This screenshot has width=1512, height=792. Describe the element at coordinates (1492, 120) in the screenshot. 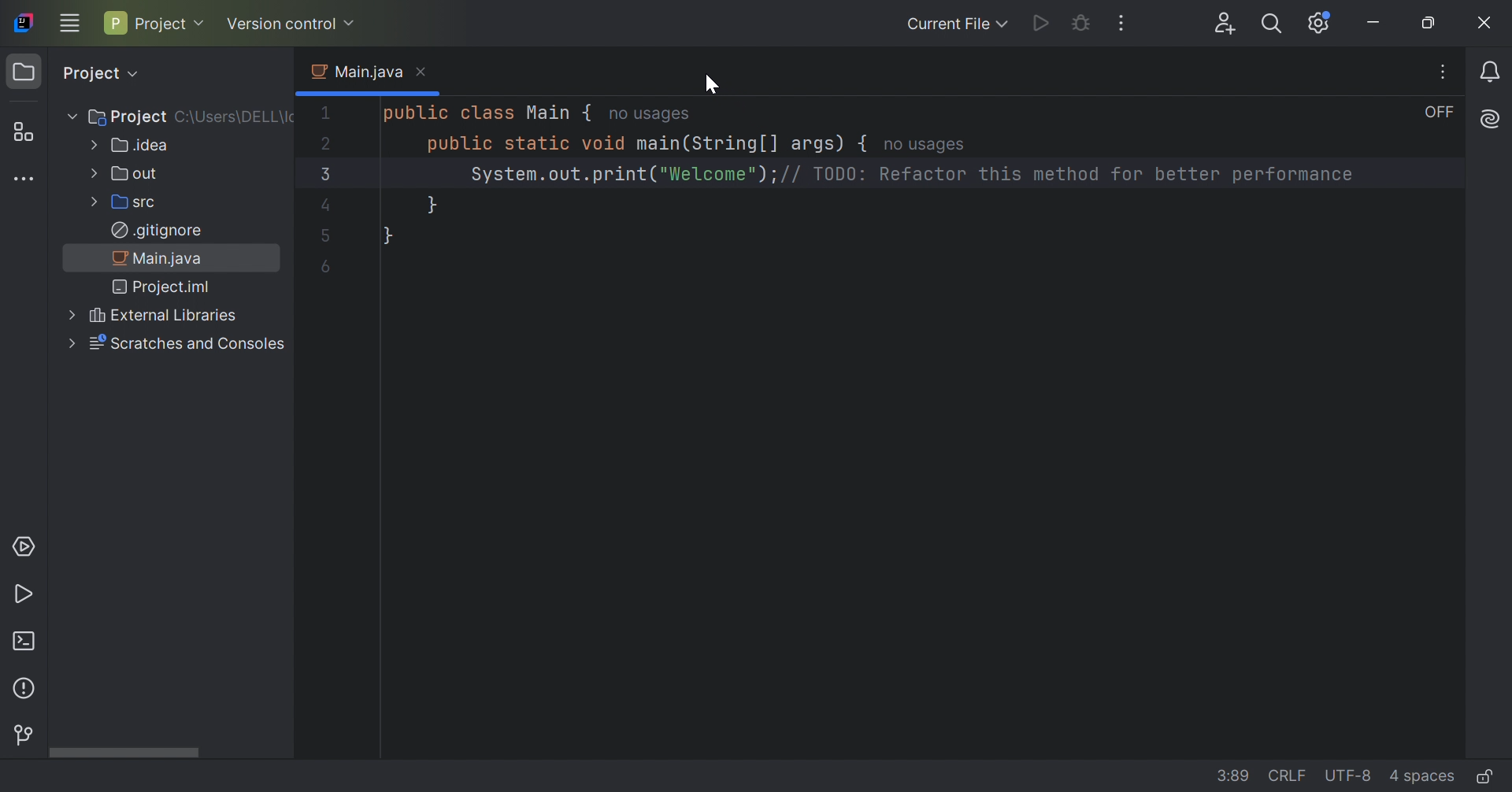

I see `AI Assistance` at that location.